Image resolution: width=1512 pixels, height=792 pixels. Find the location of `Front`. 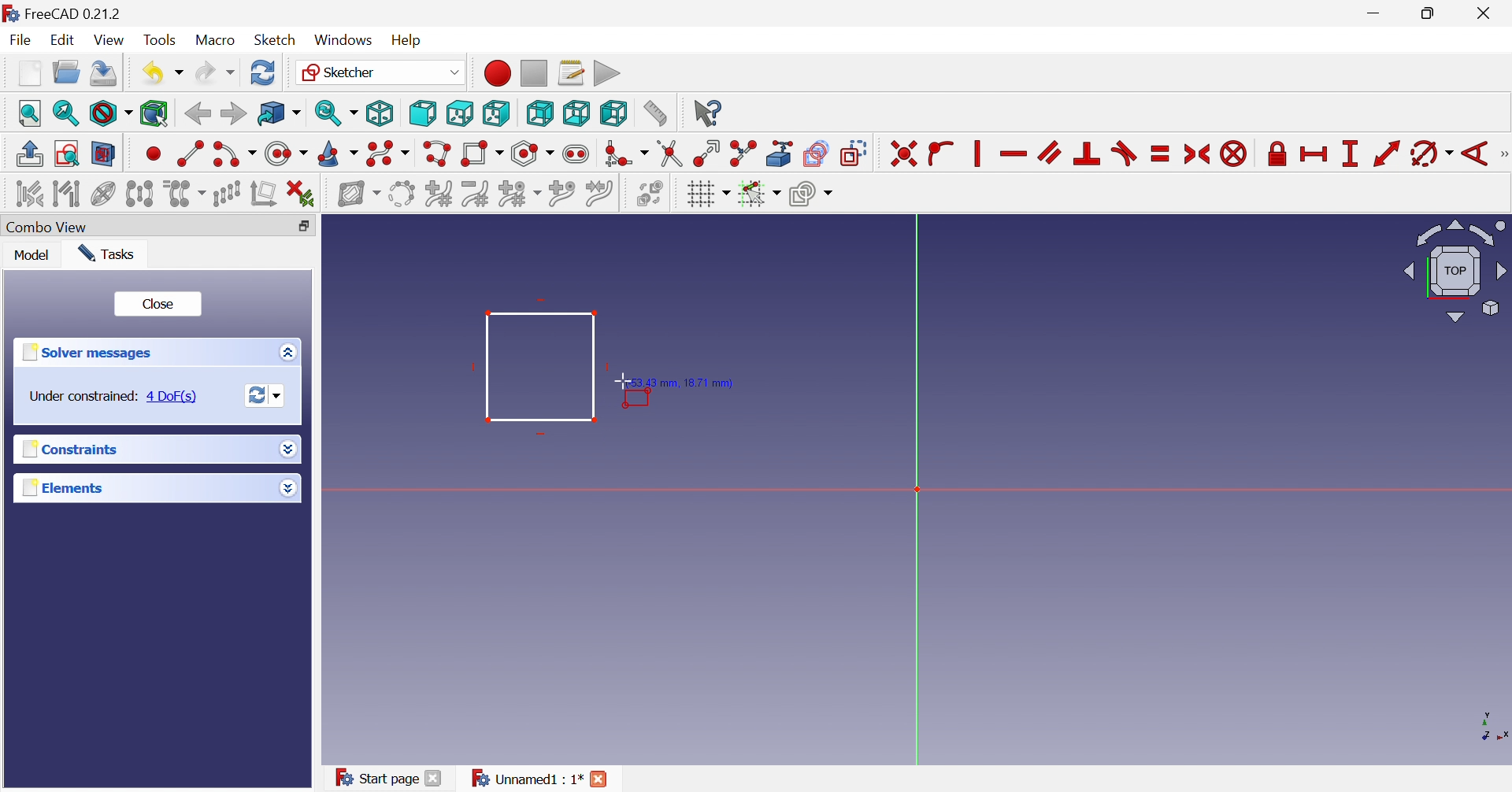

Front is located at coordinates (422, 113).